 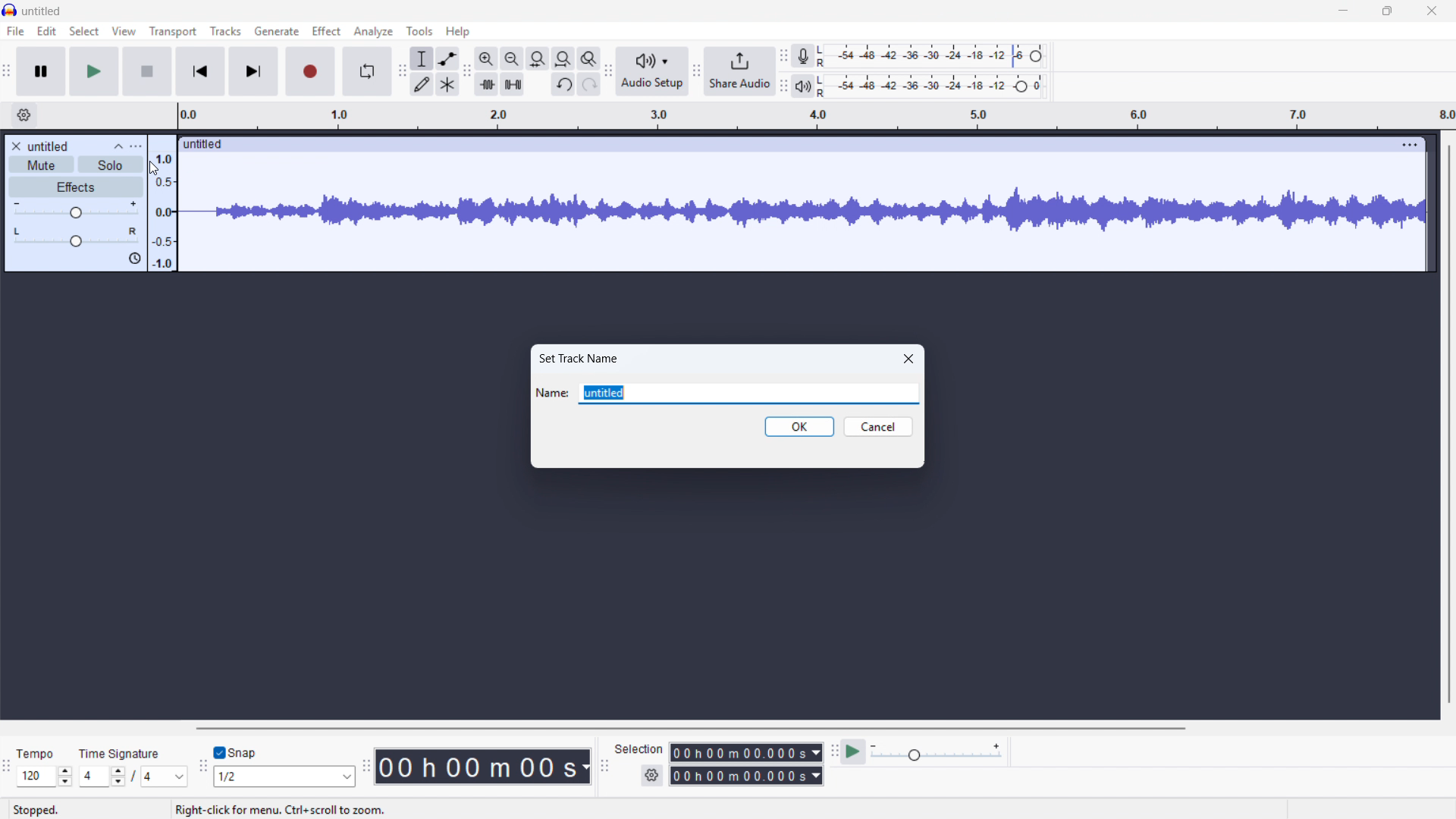 What do you see at coordinates (1389, 11) in the screenshot?
I see `maximise` at bounding box center [1389, 11].